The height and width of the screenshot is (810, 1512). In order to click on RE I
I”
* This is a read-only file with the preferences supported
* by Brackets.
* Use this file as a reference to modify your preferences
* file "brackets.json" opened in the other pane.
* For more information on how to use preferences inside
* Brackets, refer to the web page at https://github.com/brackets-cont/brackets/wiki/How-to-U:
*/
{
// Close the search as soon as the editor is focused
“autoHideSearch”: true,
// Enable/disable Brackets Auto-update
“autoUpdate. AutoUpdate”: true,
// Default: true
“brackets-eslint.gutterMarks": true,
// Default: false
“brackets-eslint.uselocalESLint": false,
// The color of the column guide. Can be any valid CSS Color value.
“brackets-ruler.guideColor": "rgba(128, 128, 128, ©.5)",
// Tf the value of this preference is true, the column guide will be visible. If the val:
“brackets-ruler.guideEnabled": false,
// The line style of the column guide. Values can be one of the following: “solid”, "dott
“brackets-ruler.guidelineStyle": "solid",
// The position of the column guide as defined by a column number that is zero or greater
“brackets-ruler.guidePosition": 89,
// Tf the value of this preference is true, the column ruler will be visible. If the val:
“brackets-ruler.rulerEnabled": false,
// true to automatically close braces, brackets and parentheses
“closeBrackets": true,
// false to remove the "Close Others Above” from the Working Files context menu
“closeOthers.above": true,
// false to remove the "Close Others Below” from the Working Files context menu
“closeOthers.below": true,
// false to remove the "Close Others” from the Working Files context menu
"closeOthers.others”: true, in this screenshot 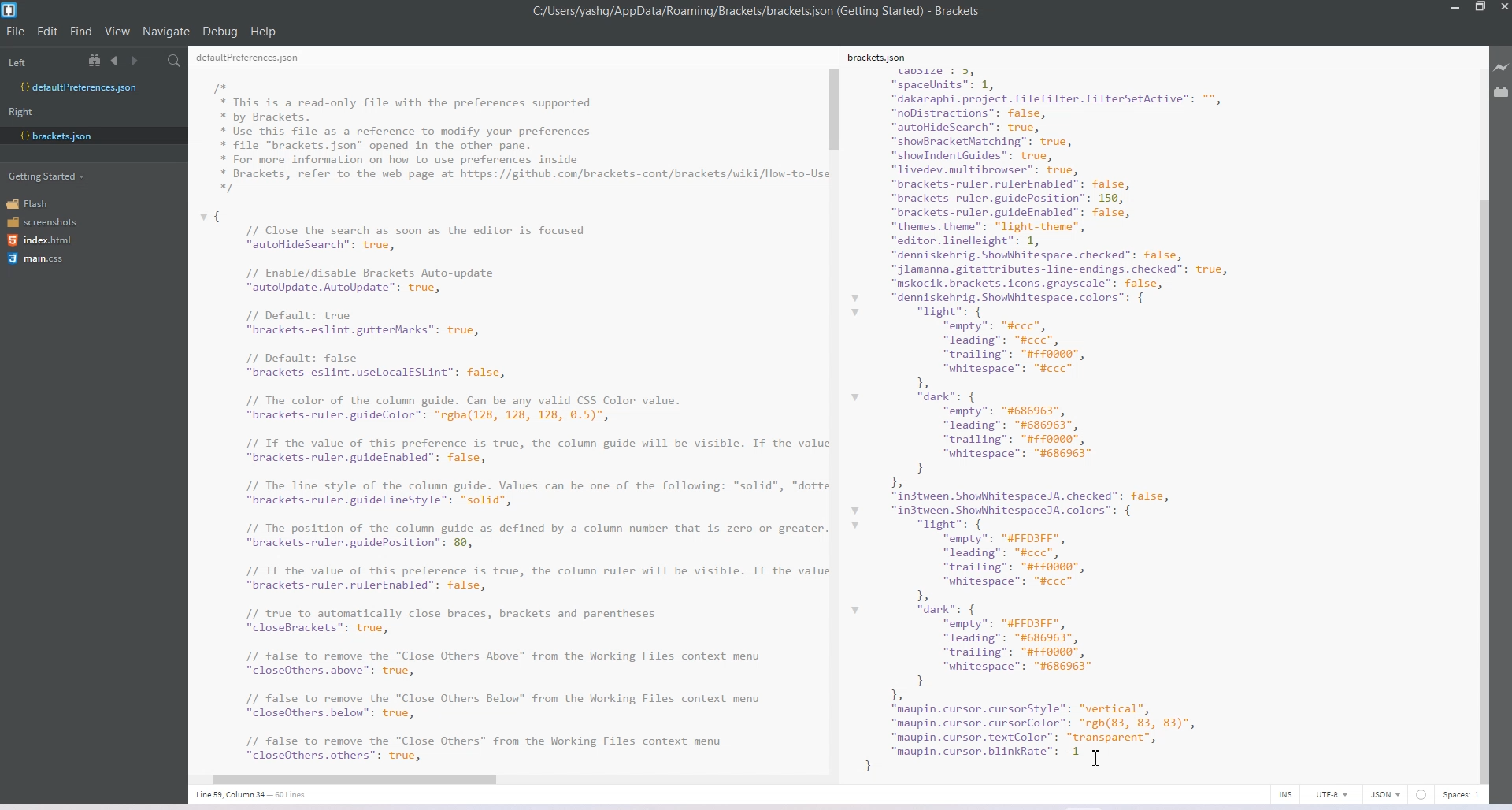, I will do `click(507, 407)`.